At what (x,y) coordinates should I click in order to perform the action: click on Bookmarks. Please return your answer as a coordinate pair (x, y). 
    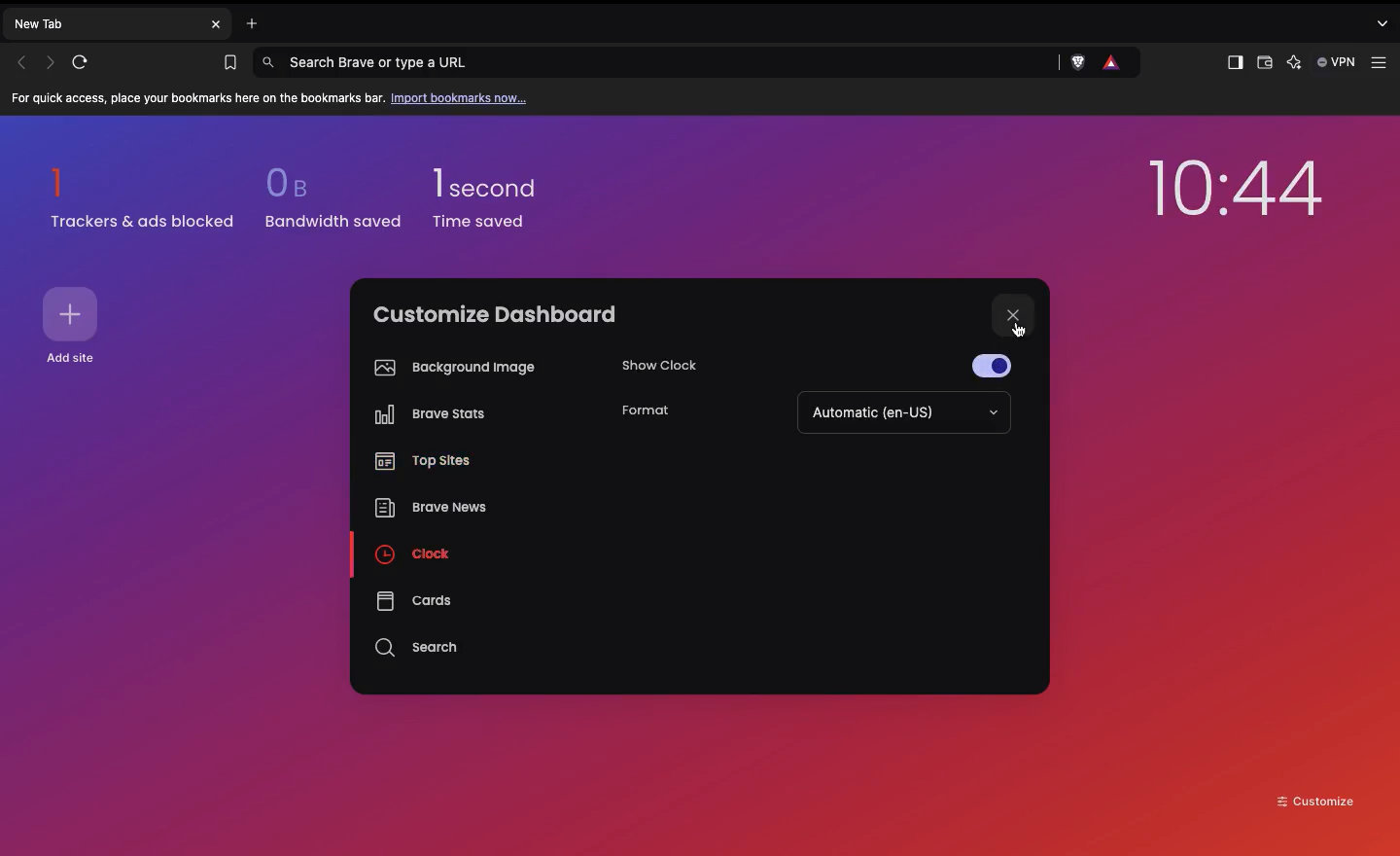
    Looking at the image, I should click on (226, 63).